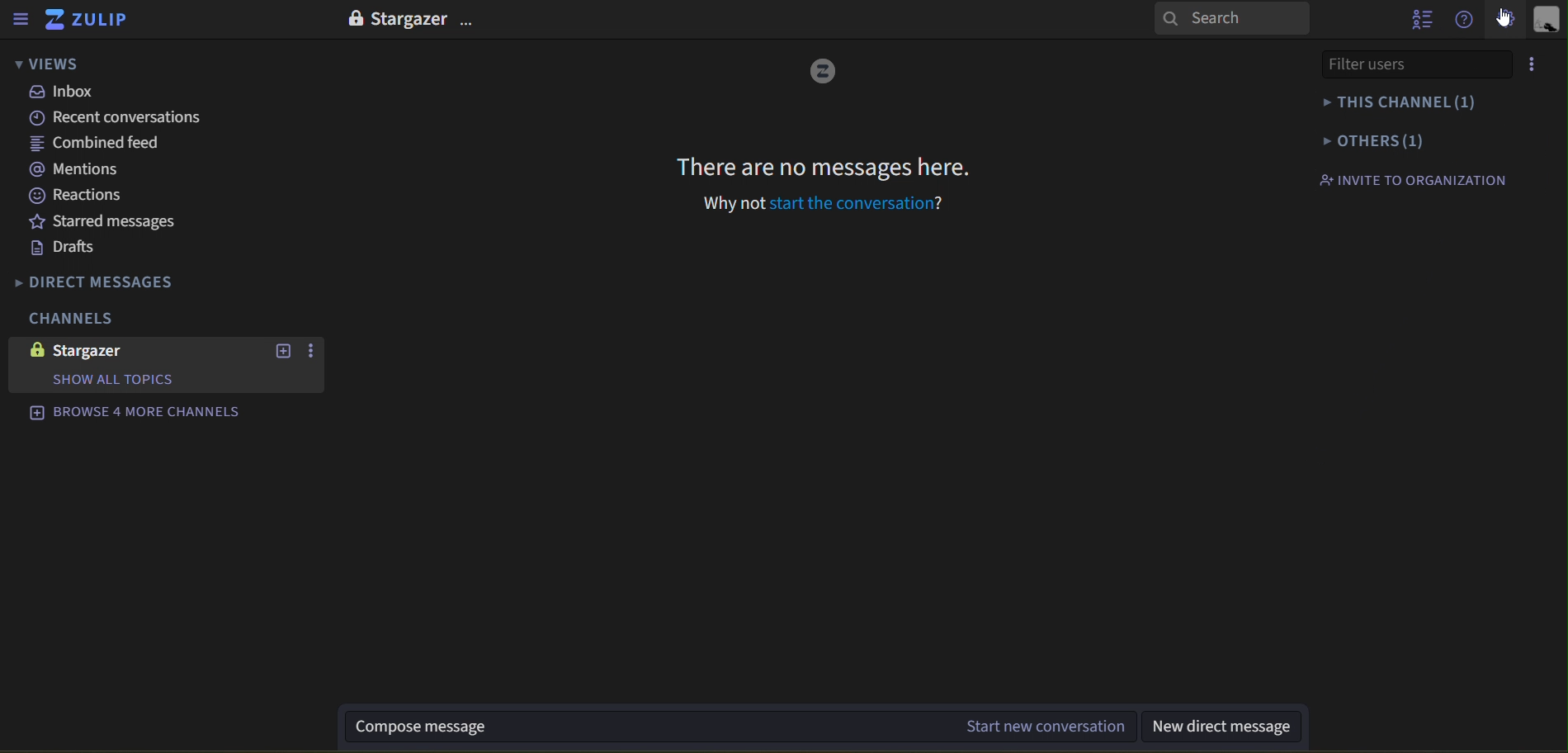 This screenshot has width=1568, height=753. Describe the element at coordinates (121, 118) in the screenshot. I see `recent conversations` at that location.